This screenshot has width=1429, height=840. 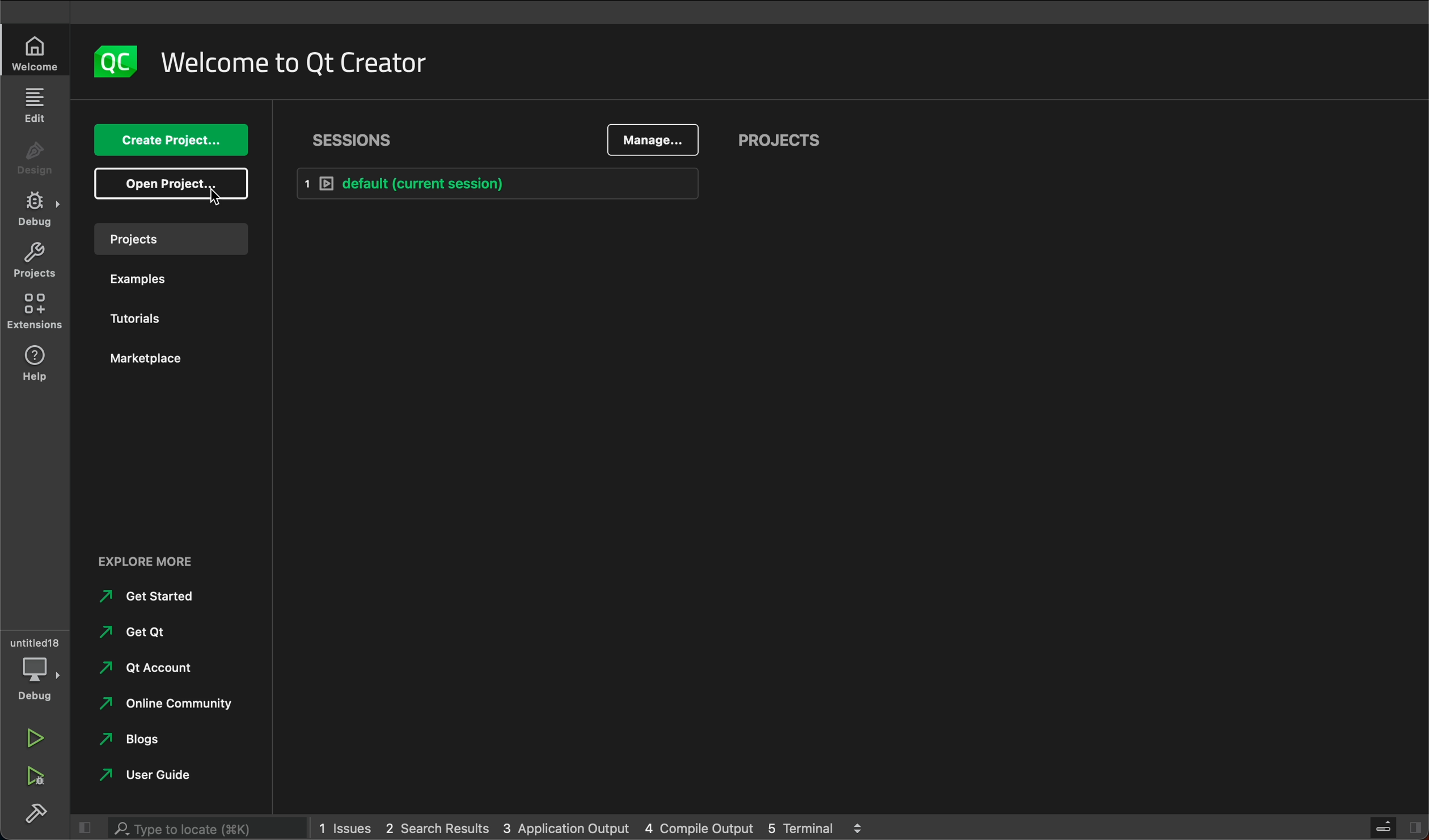 What do you see at coordinates (135, 632) in the screenshot?
I see `get qt` at bounding box center [135, 632].